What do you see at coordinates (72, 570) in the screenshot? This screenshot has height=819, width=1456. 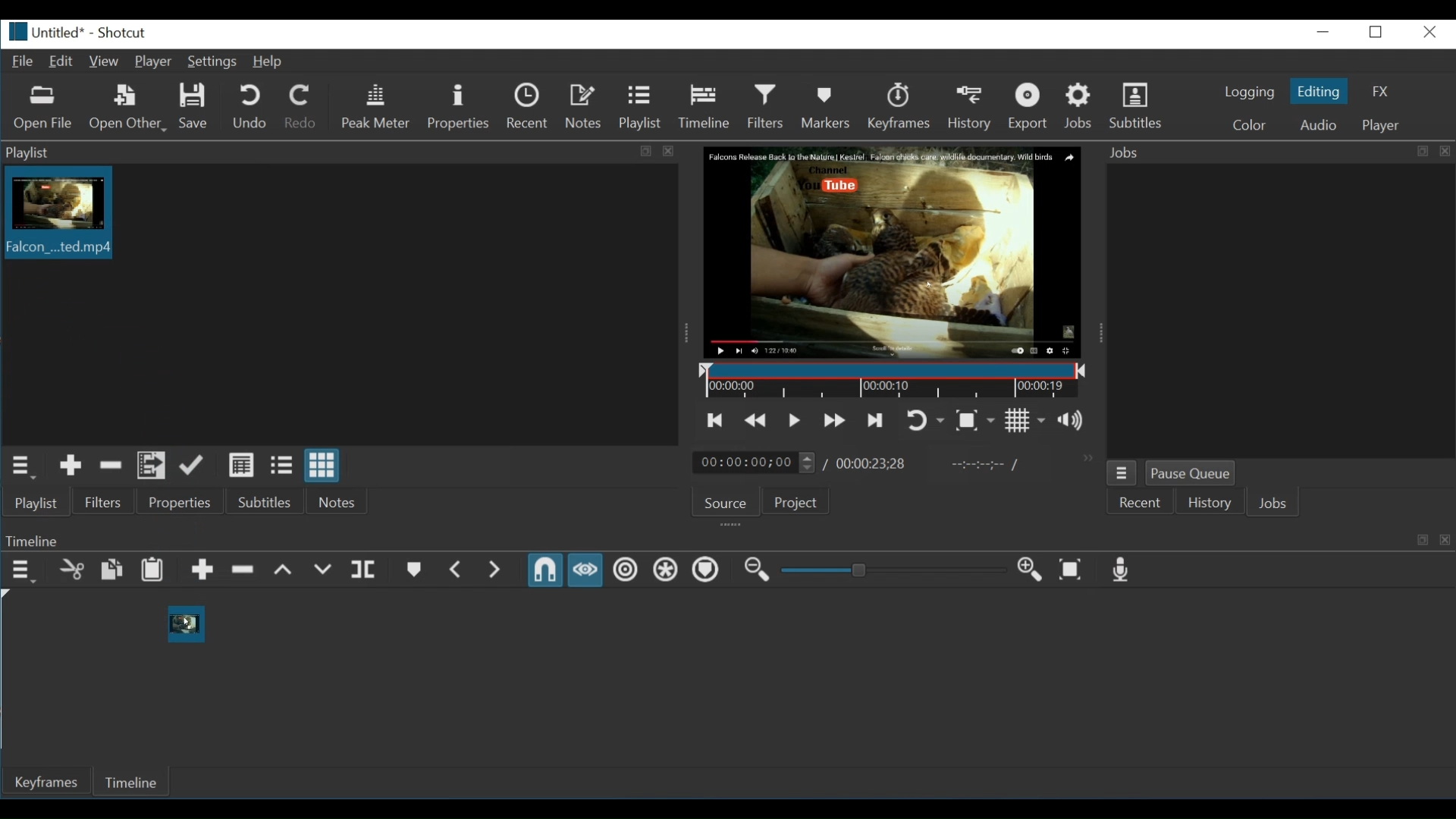 I see `Cut` at bounding box center [72, 570].